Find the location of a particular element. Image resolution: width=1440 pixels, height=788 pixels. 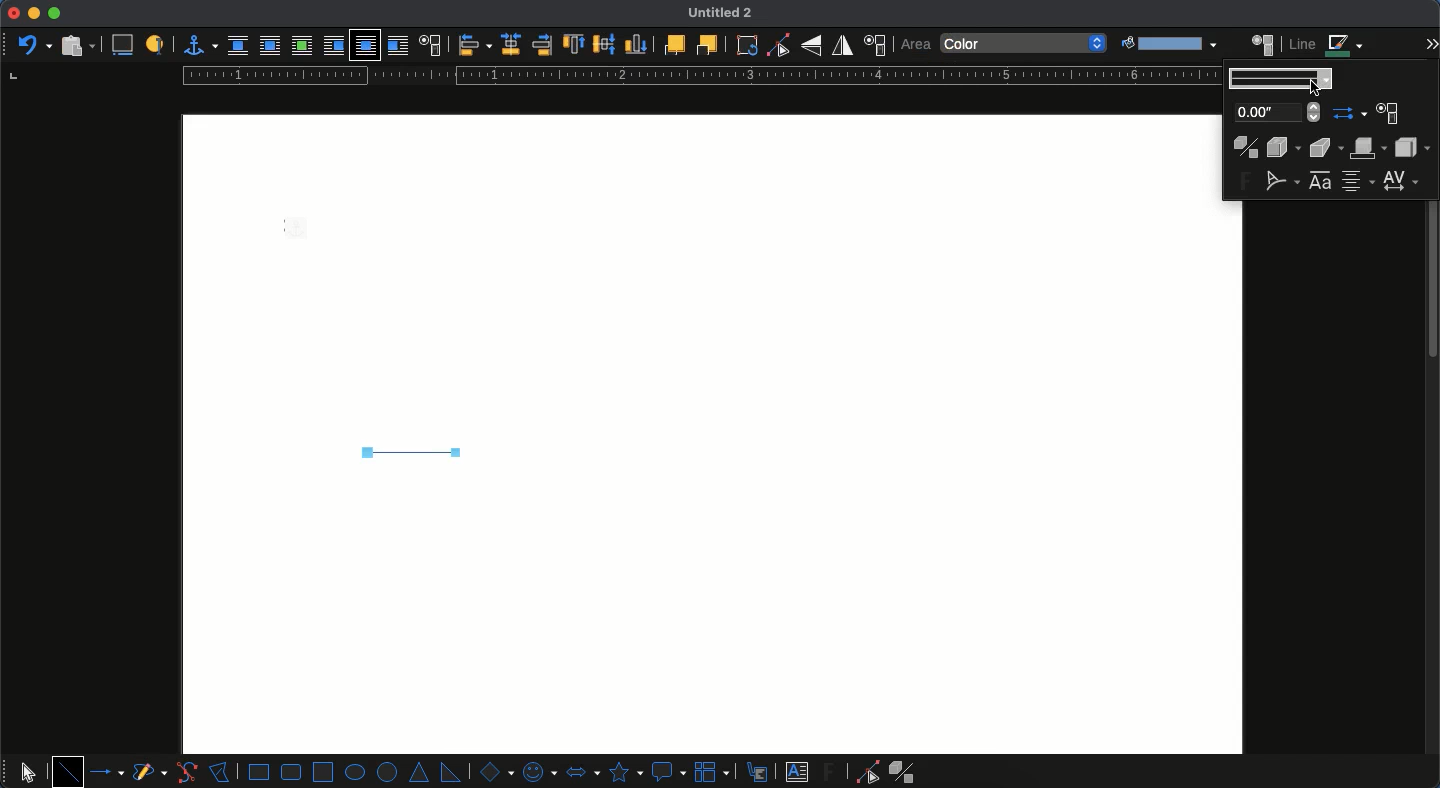

ellipse is located at coordinates (355, 772).